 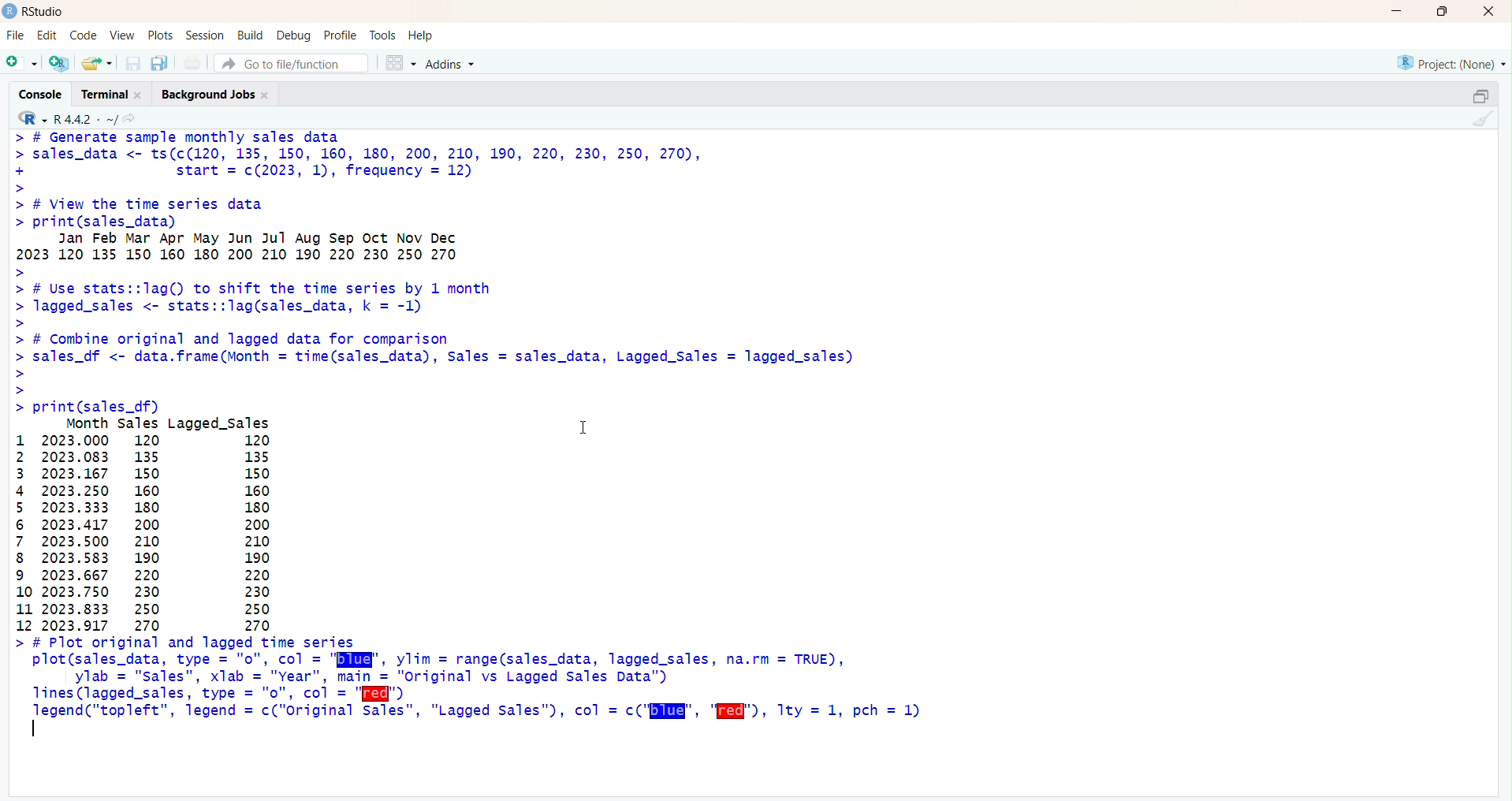 What do you see at coordinates (385, 161) in the screenshot?
I see `# Generate sample monthly sales data sales_data <- ts(c(120, 135, 150, 160, 180, 200, 210, 190, 220, 230, 250, 270),start = c(2023, 1), frequency = 12)` at bounding box center [385, 161].